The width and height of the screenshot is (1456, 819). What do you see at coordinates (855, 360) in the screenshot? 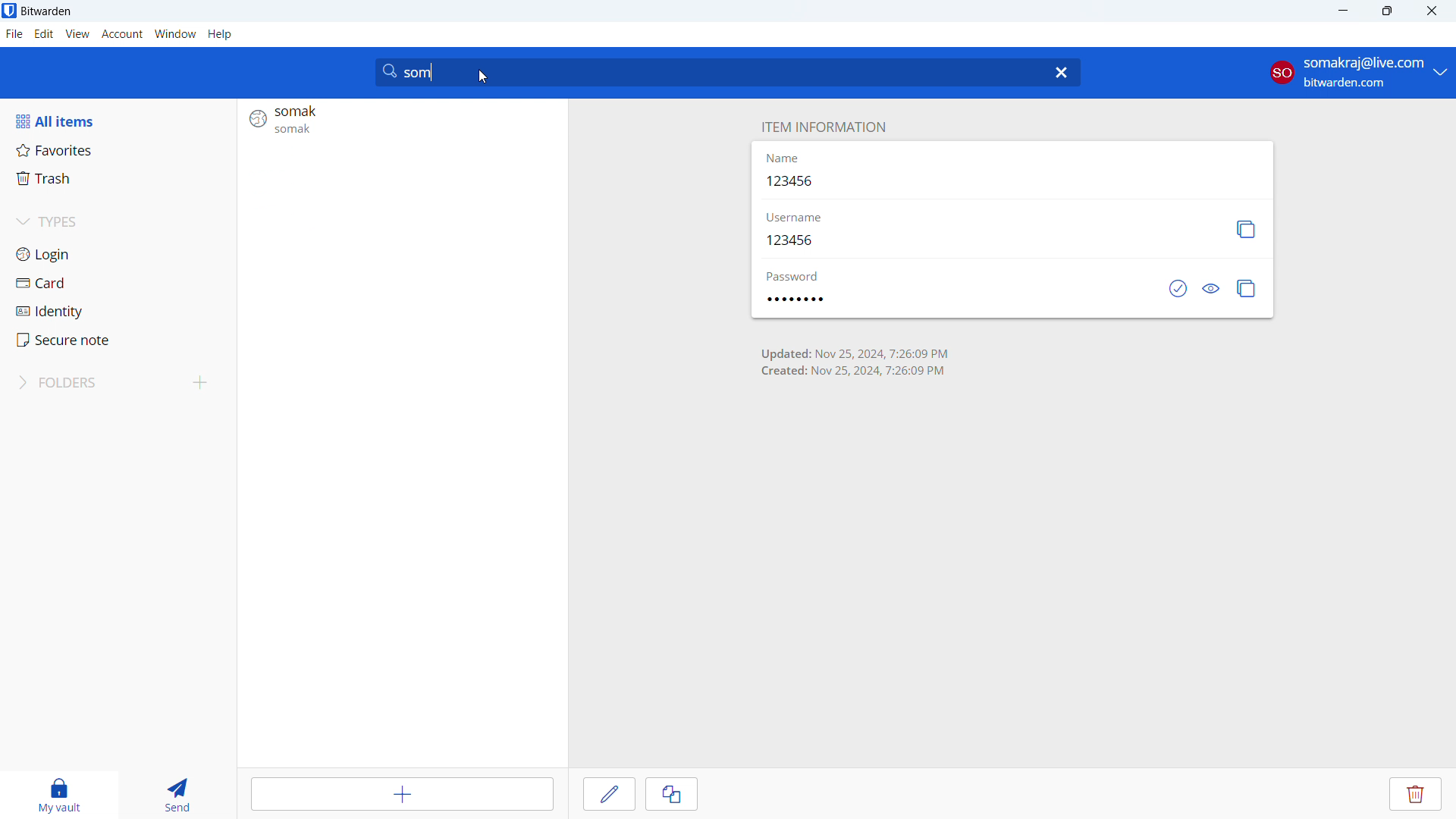
I see `time of creation and last update` at bounding box center [855, 360].